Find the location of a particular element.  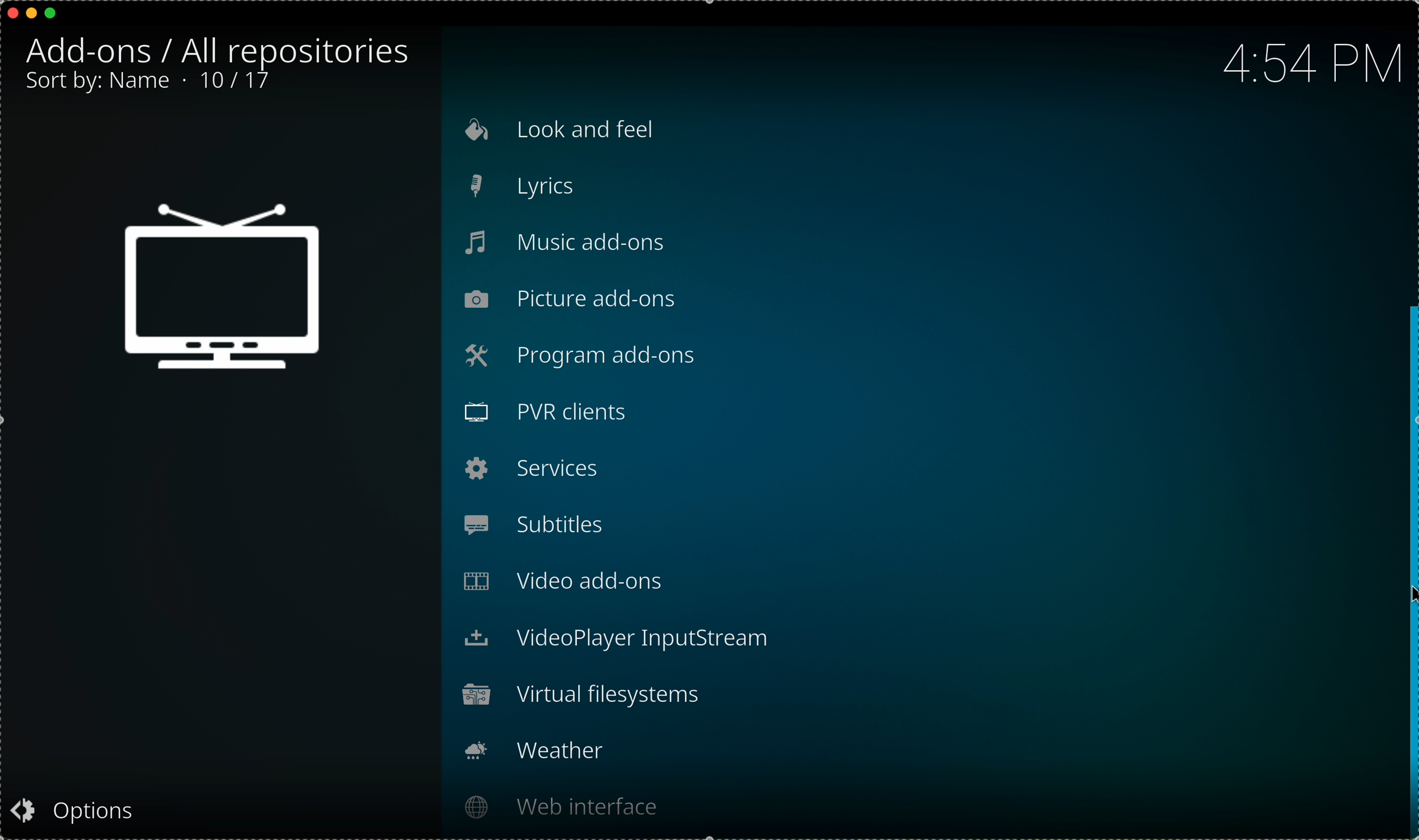

video add-ons is located at coordinates (567, 581).